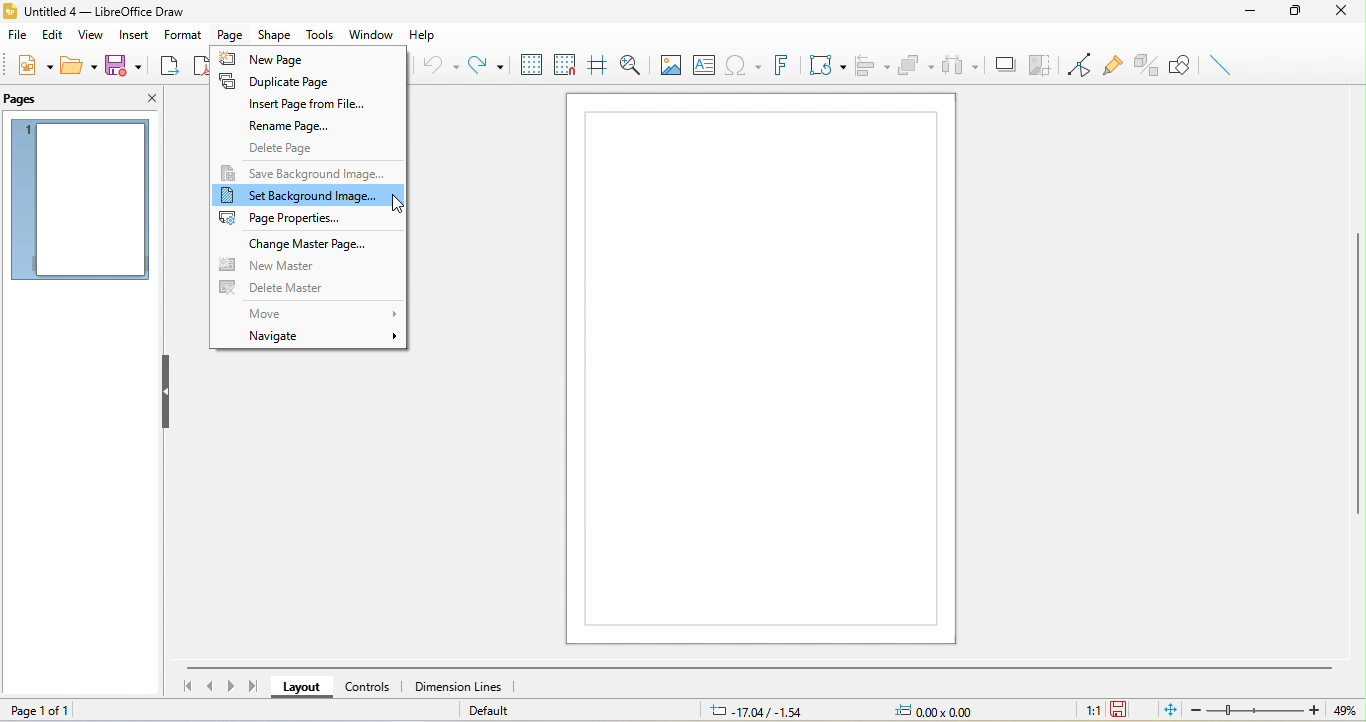 The height and width of the screenshot is (722, 1366). Describe the element at coordinates (82, 203) in the screenshot. I see `page 1` at that location.